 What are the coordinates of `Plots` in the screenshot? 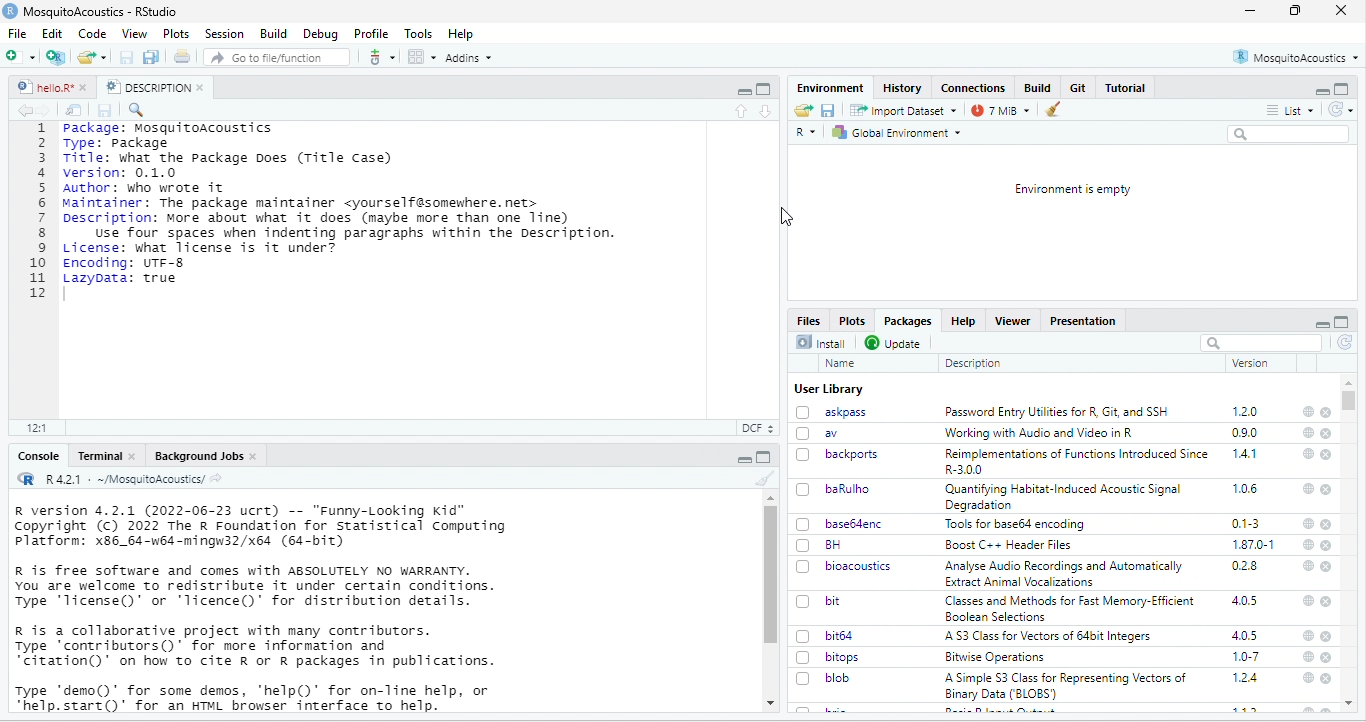 It's located at (176, 33).